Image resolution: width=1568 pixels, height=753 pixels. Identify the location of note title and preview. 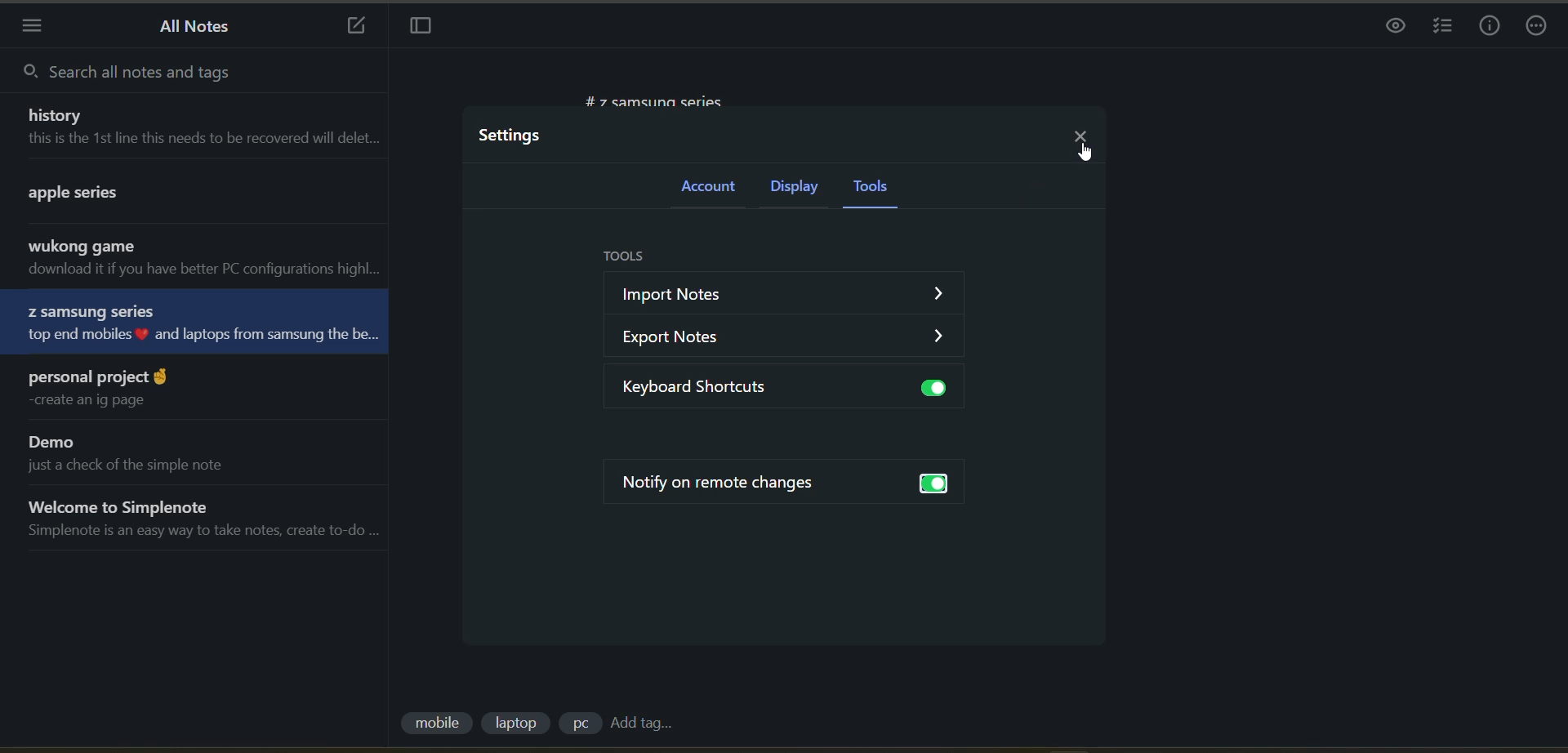
(205, 259).